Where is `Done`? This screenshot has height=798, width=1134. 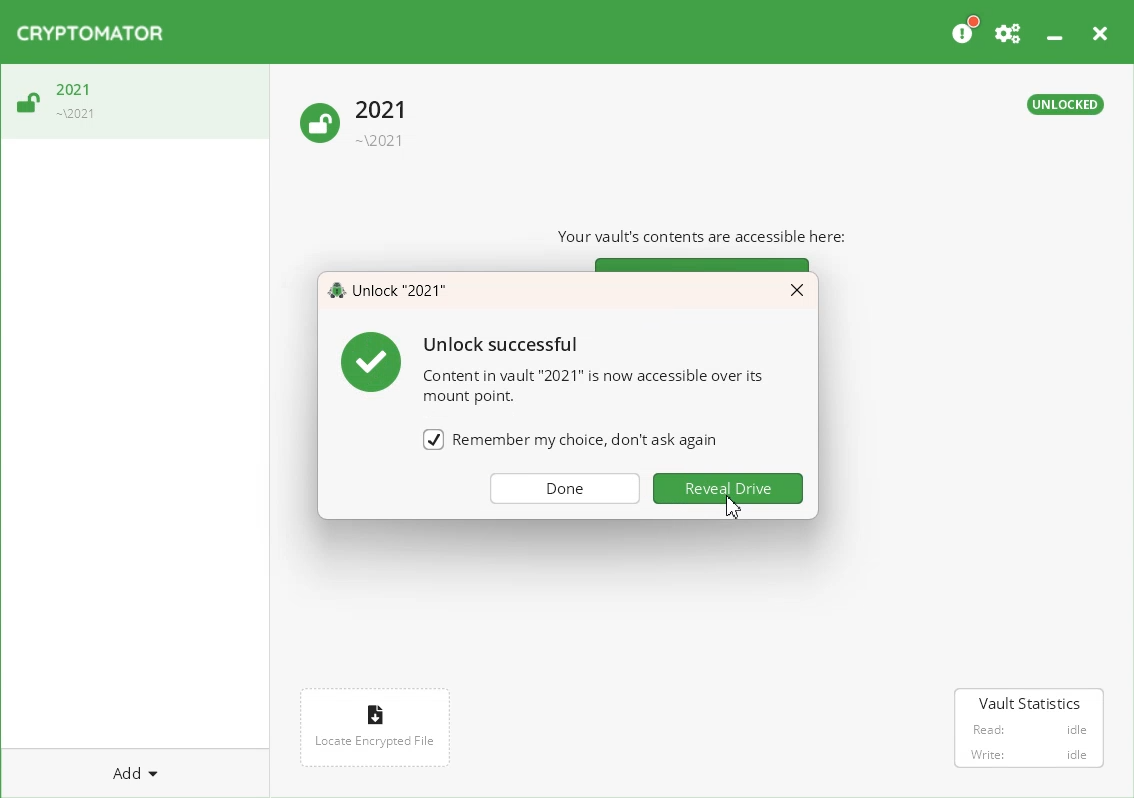 Done is located at coordinates (566, 489).